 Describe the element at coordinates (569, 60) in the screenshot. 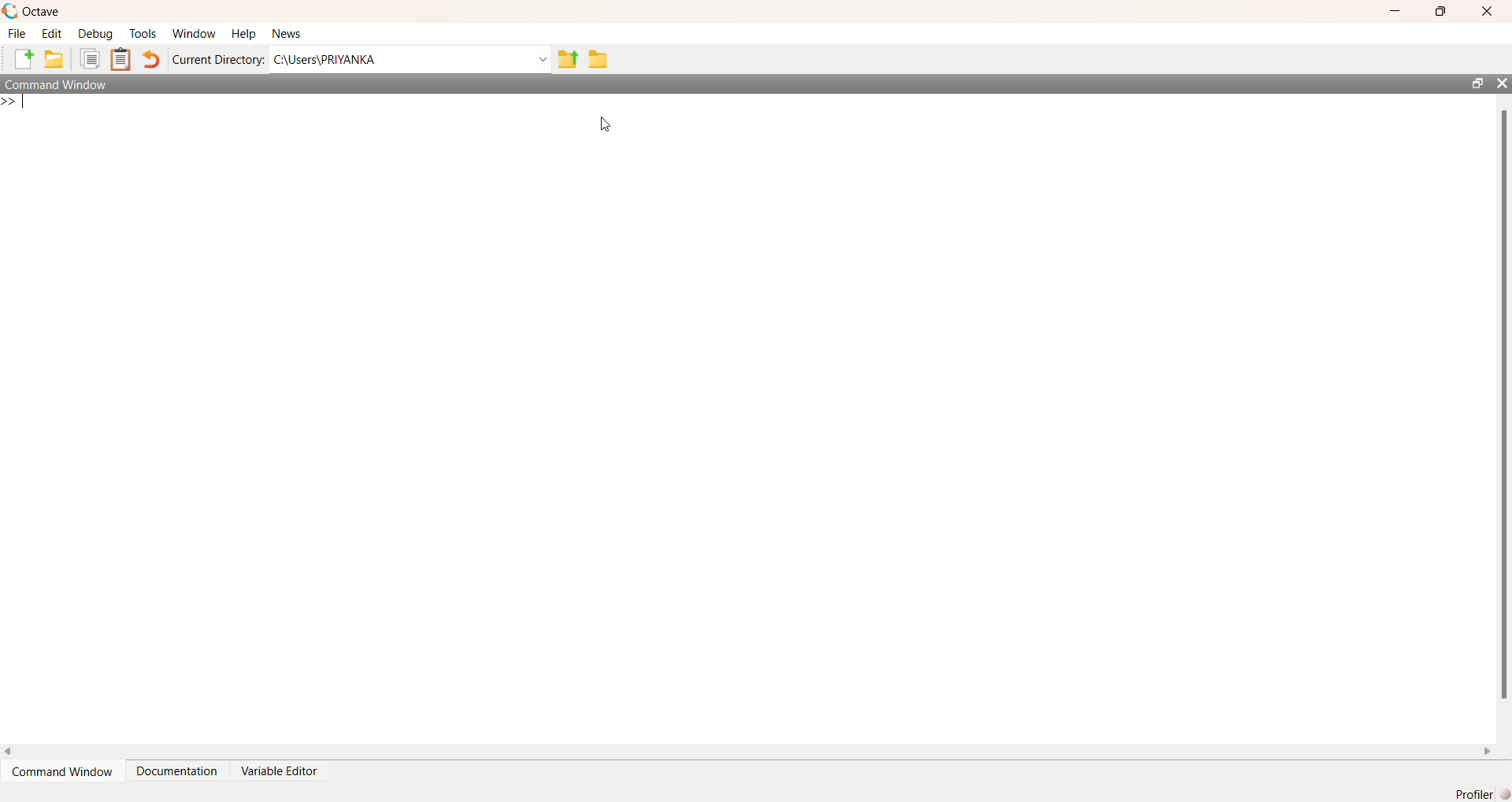

I see `parent directory` at that location.